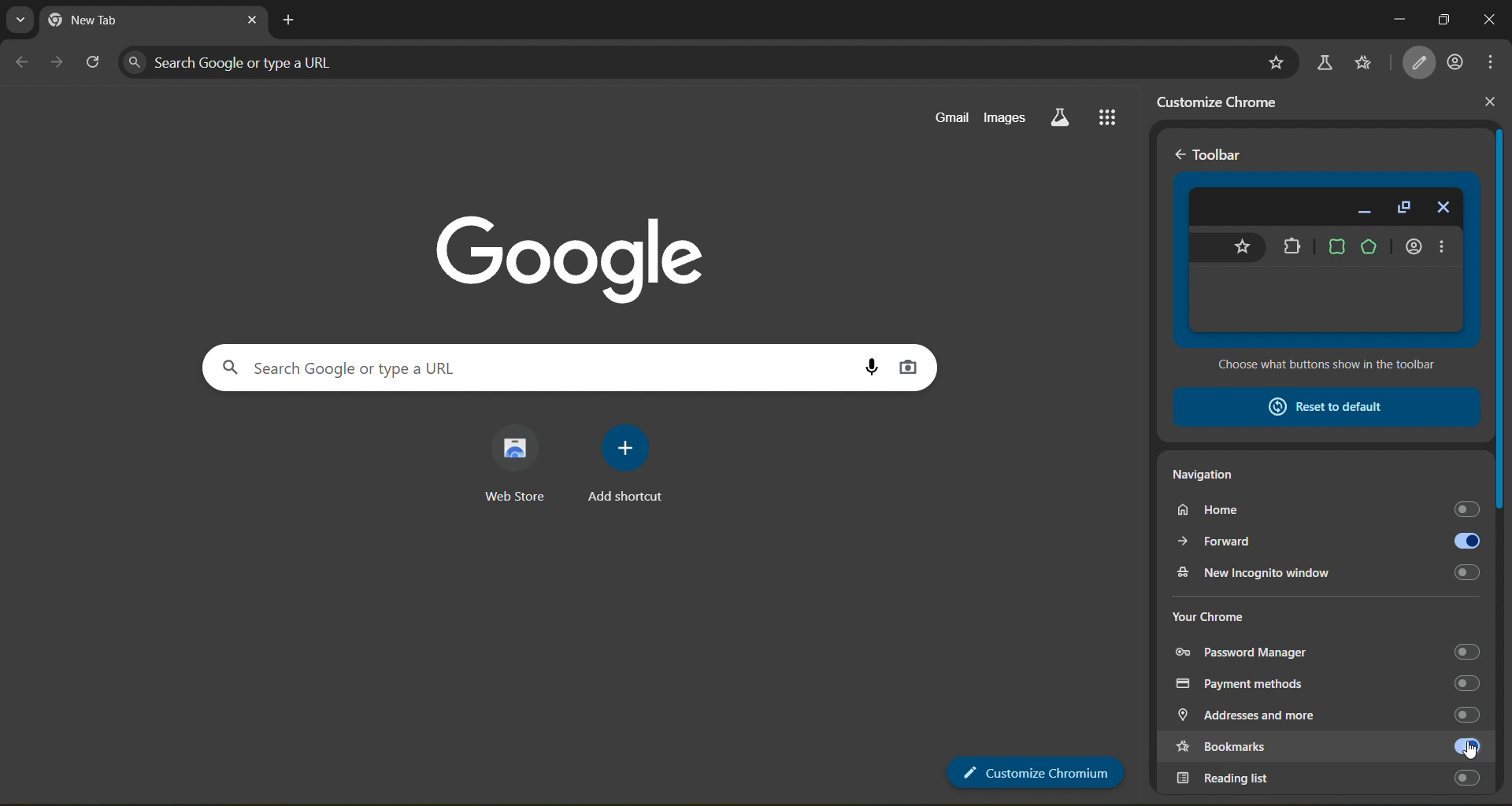 The height and width of the screenshot is (806, 1512). What do you see at coordinates (1114, 117) in the screenshot?
I see `google apps` at bounding box center [1114, 117].